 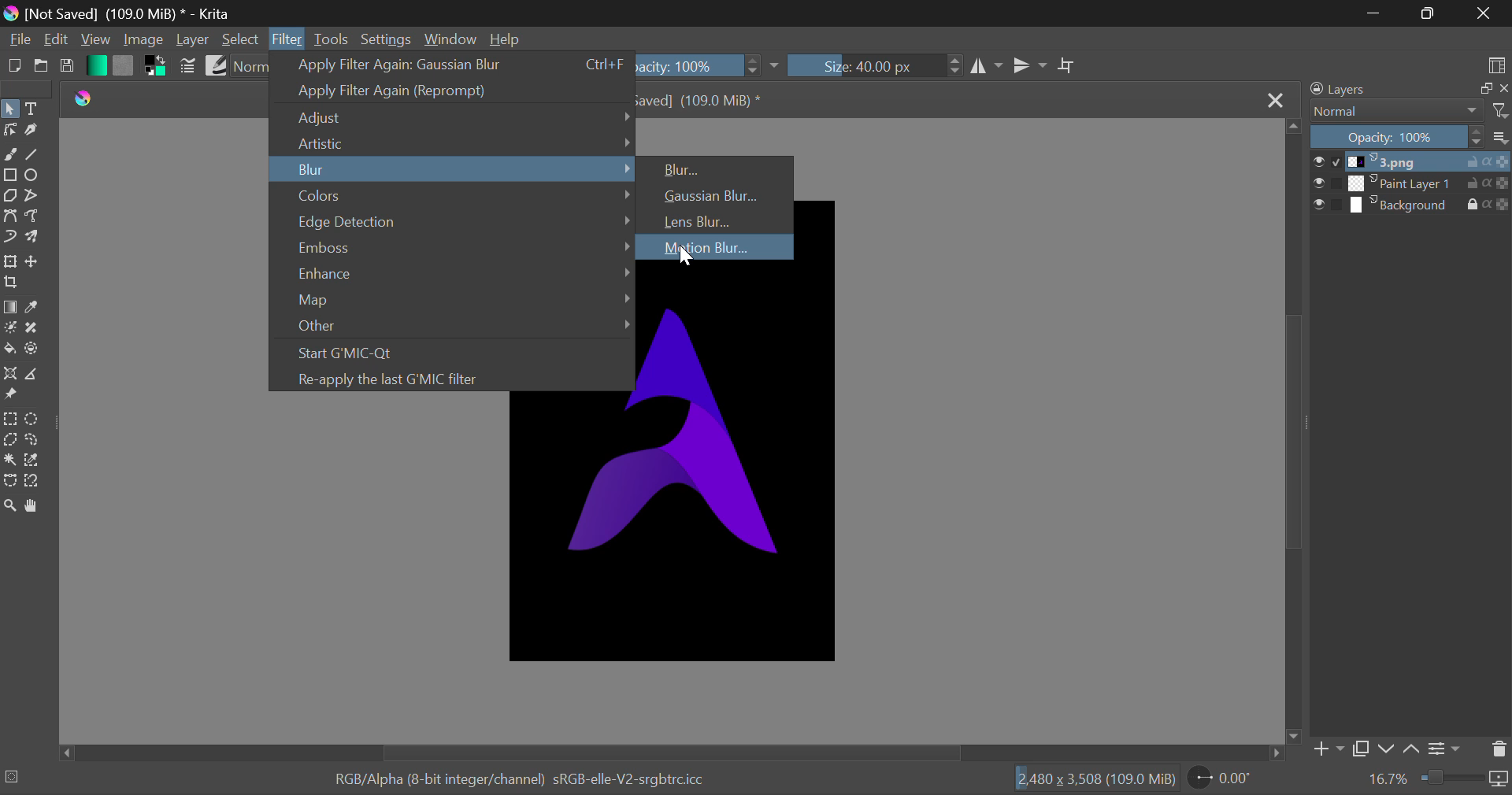 I want to click on Close, so click(x=1484, y=14).